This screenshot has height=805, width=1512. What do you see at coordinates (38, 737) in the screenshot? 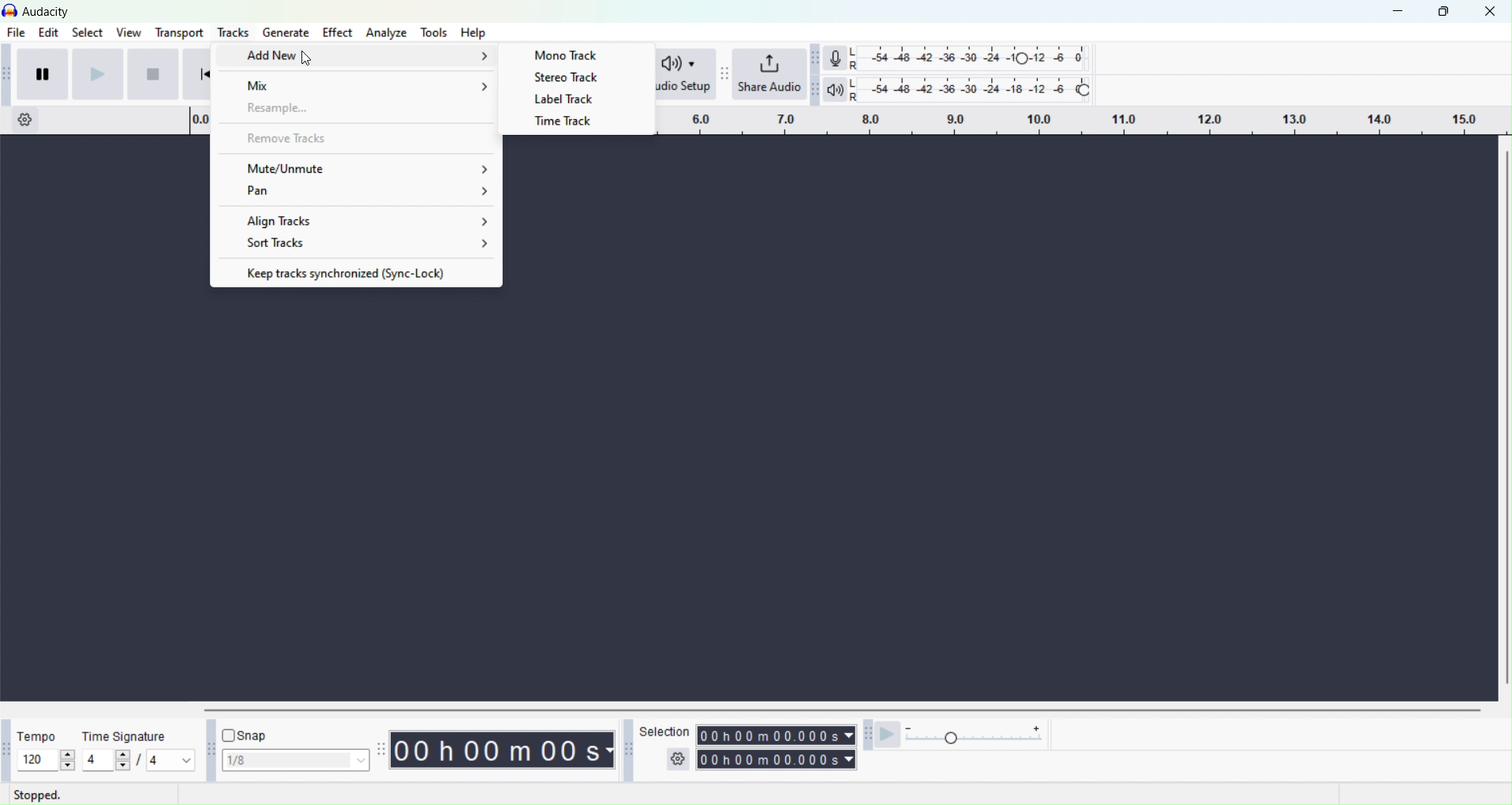
I see `Tempo` at bounding box center [38, 737].